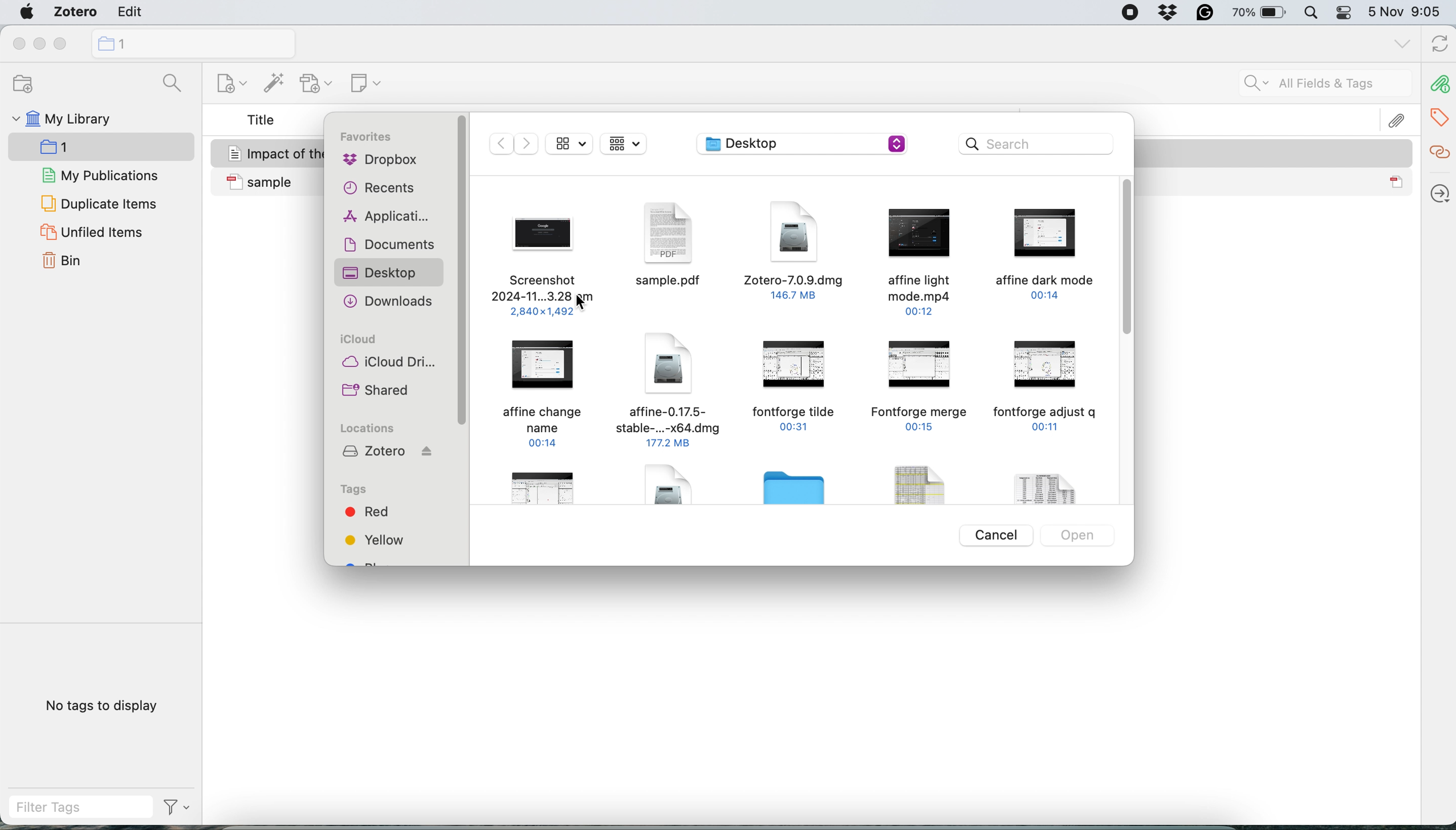 The height and width of the screenshot is (830, 1456). Describe the element at coordinates (1170, 14) in the screenshot. I see `dropbox` at that location.